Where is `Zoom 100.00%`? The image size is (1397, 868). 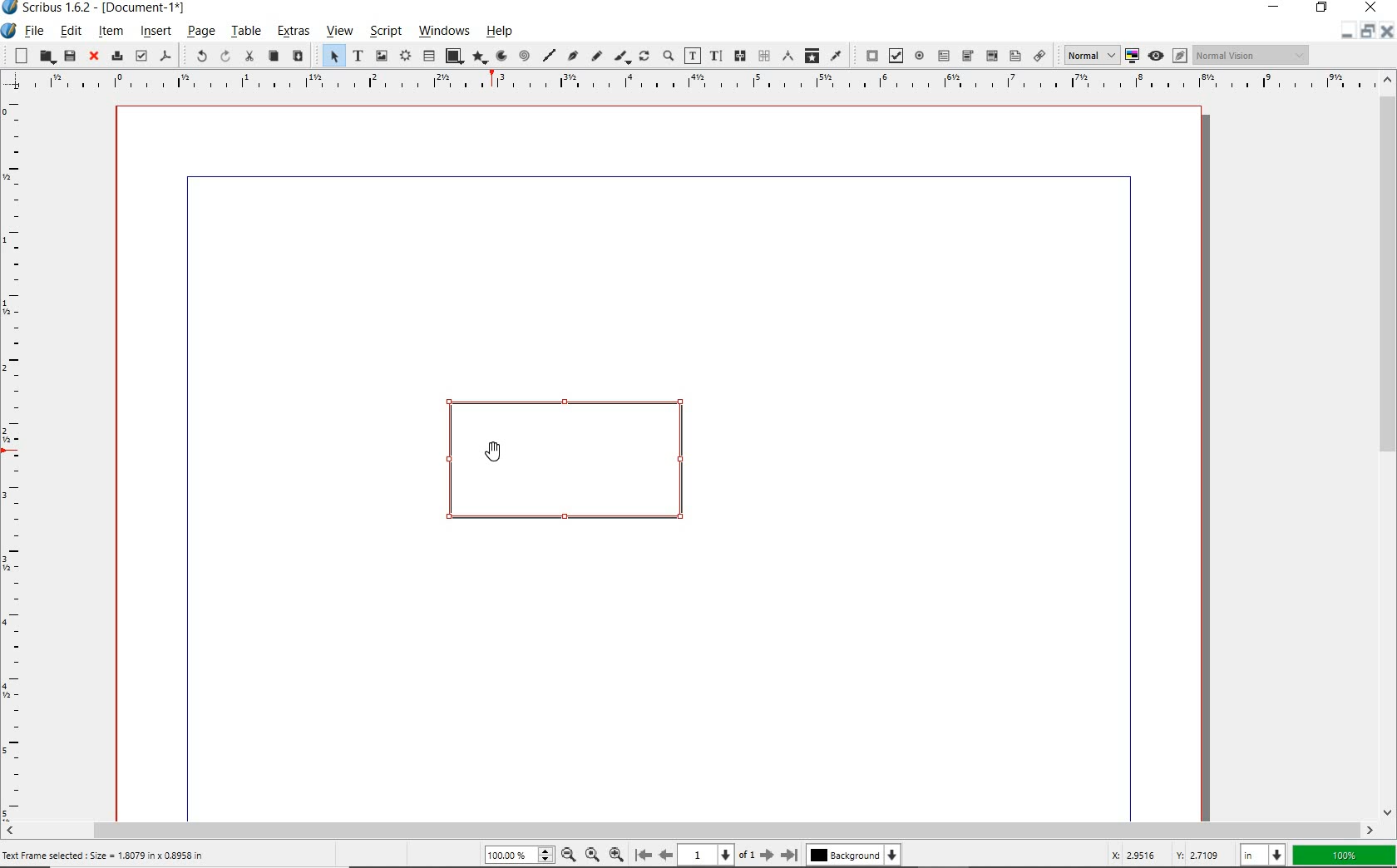
Zoom 100.00% is located at coordinates (520, 856).